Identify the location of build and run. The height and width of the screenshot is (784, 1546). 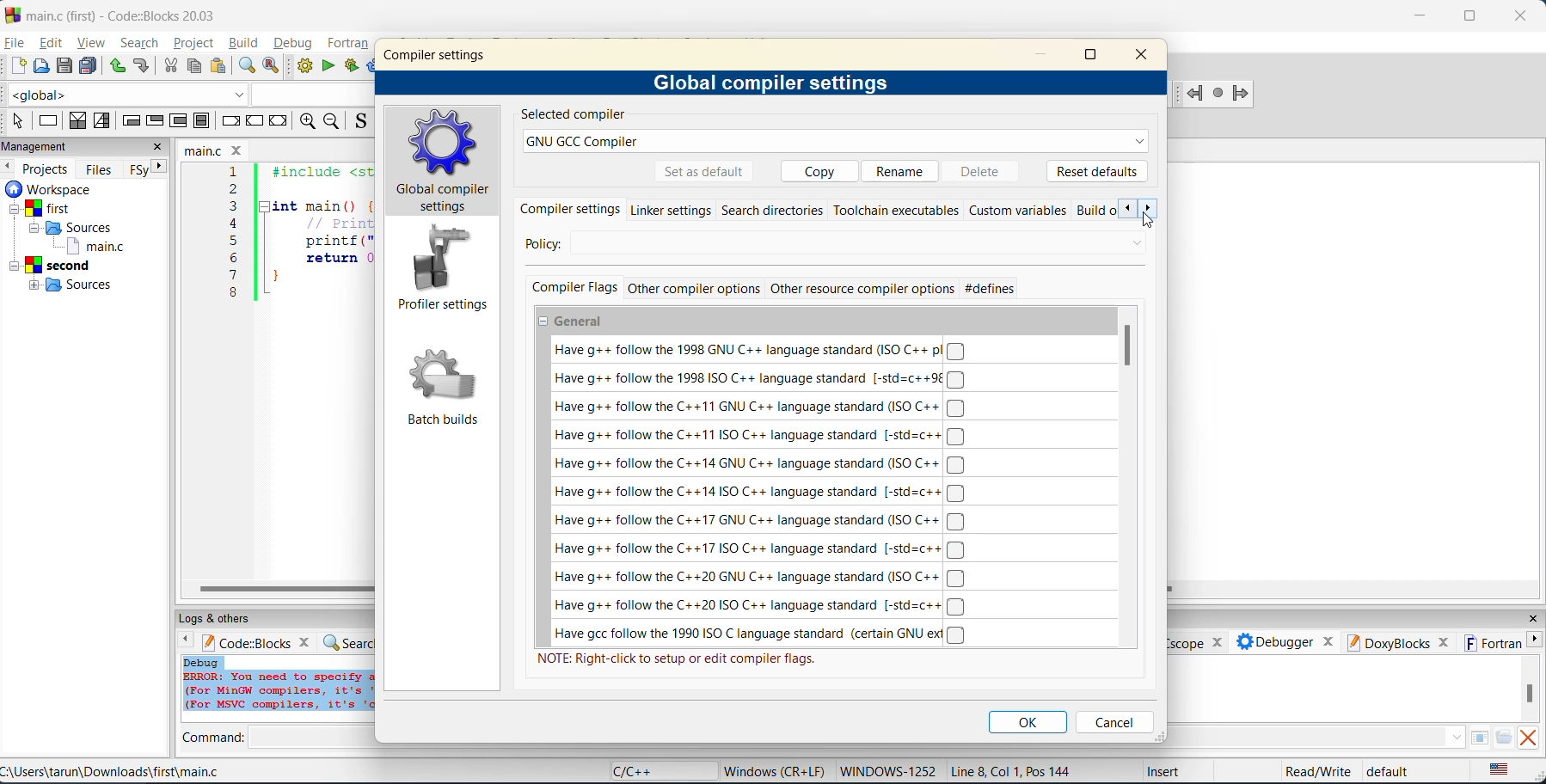
(353, 67).